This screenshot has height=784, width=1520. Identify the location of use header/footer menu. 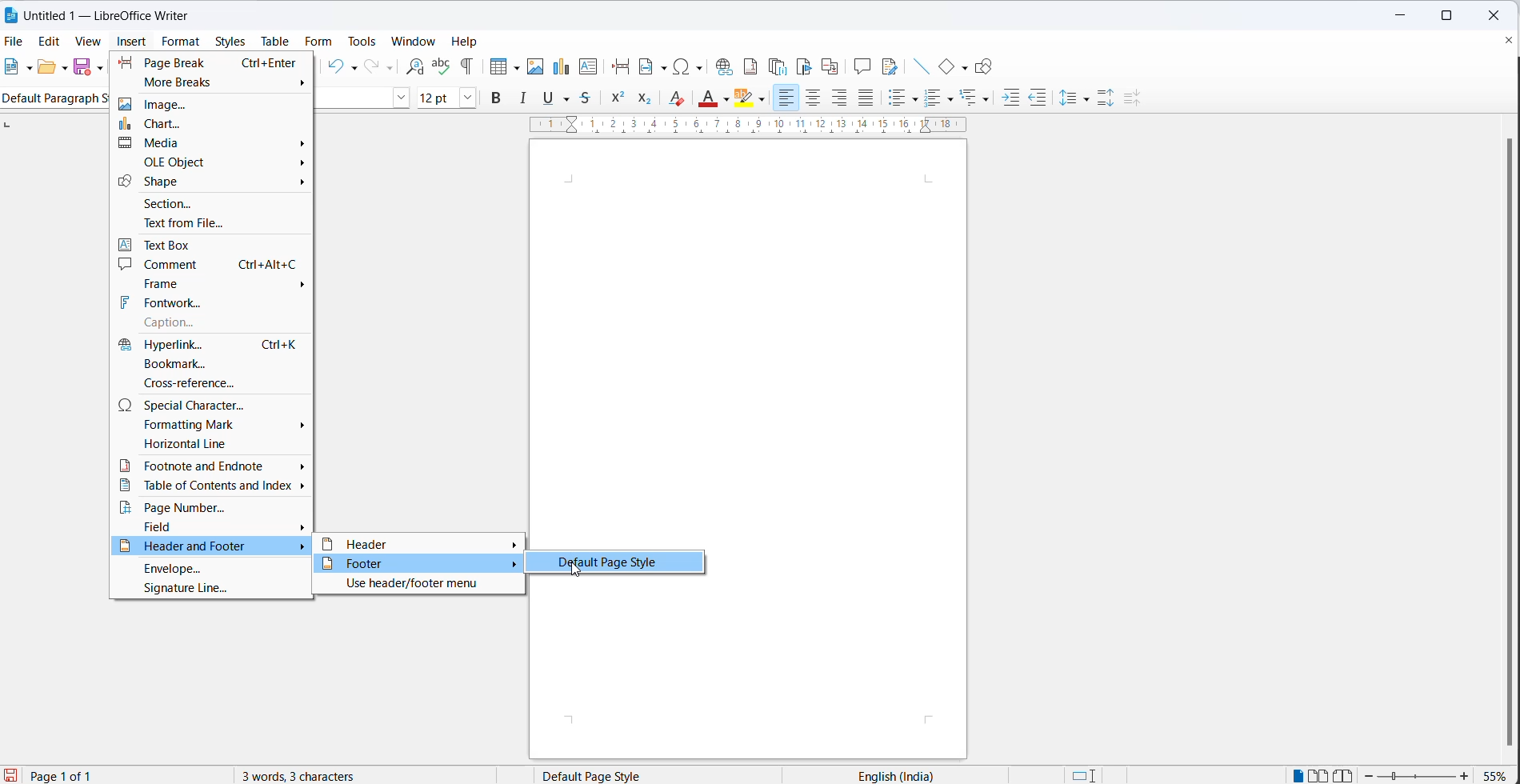
(421, 586).